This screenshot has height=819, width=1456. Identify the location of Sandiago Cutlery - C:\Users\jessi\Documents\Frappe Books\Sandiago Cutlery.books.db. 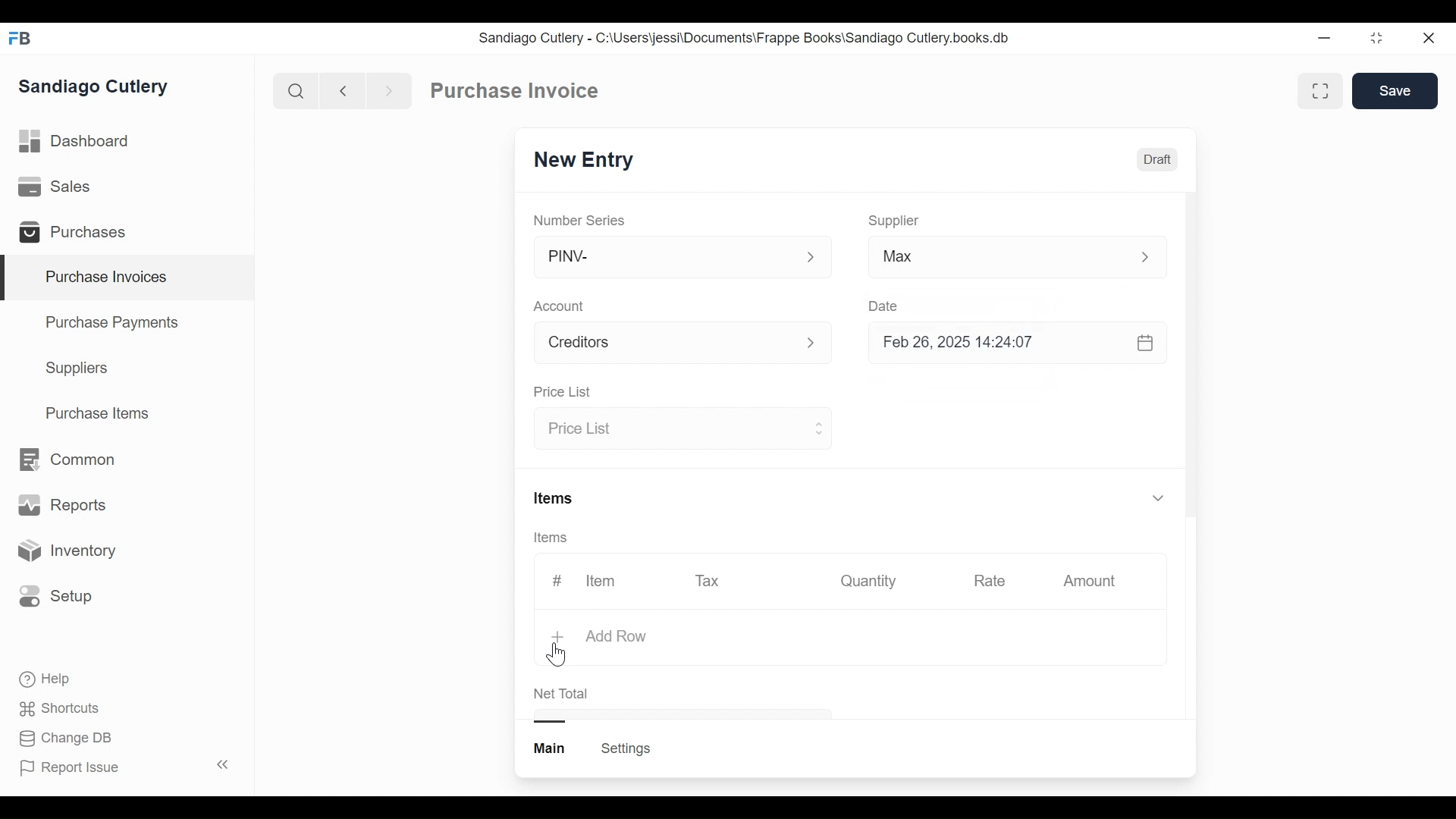
(745, 38).